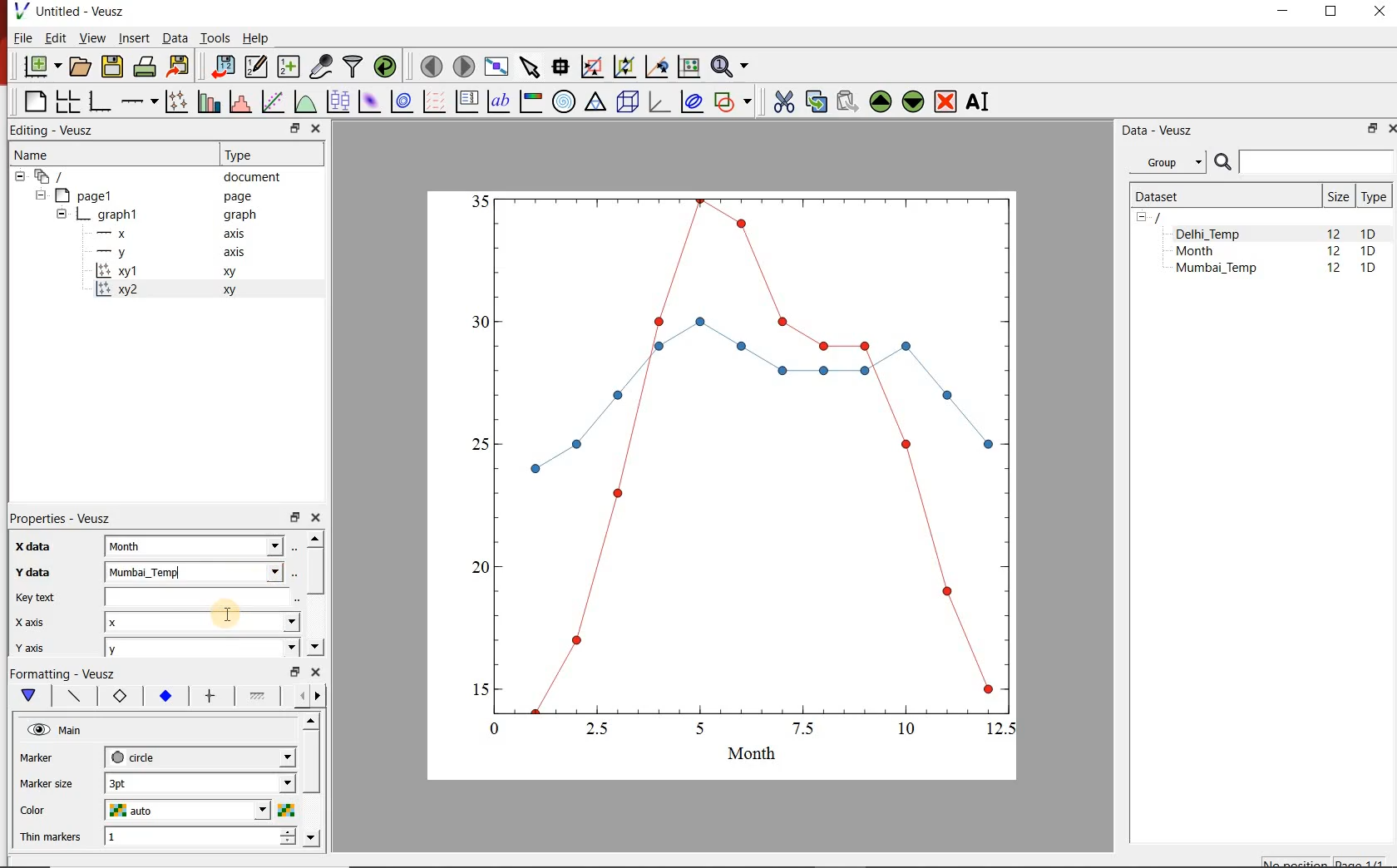 This screenshot has height=868, width=1397. Describe the element at coordinates (913, 102) in the screenshot. I see `move the selected widget down` at that location.